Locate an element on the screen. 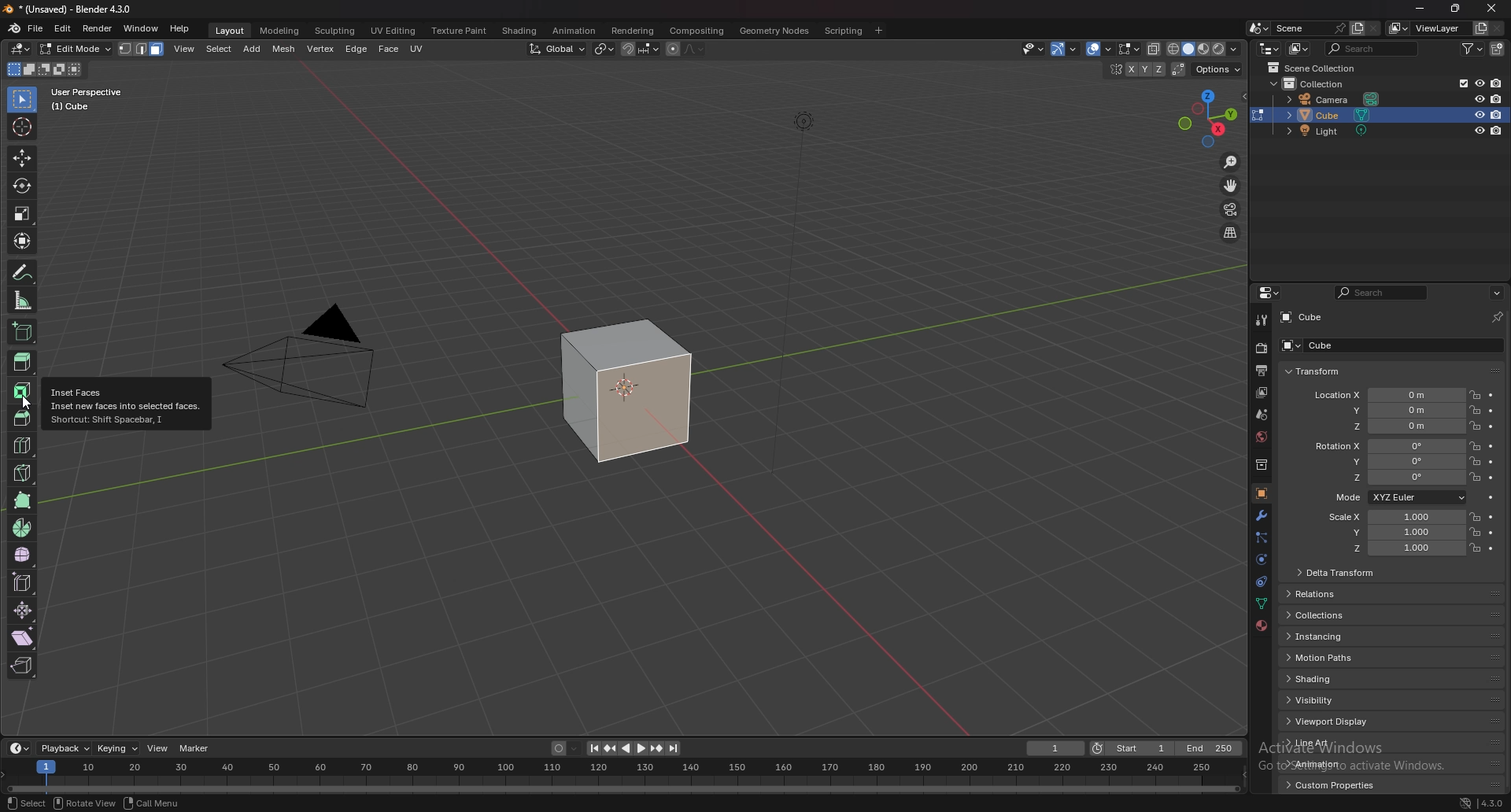 The height and width of the screenshot is (812, 1511). smooth is located at coordinates (24, 555).